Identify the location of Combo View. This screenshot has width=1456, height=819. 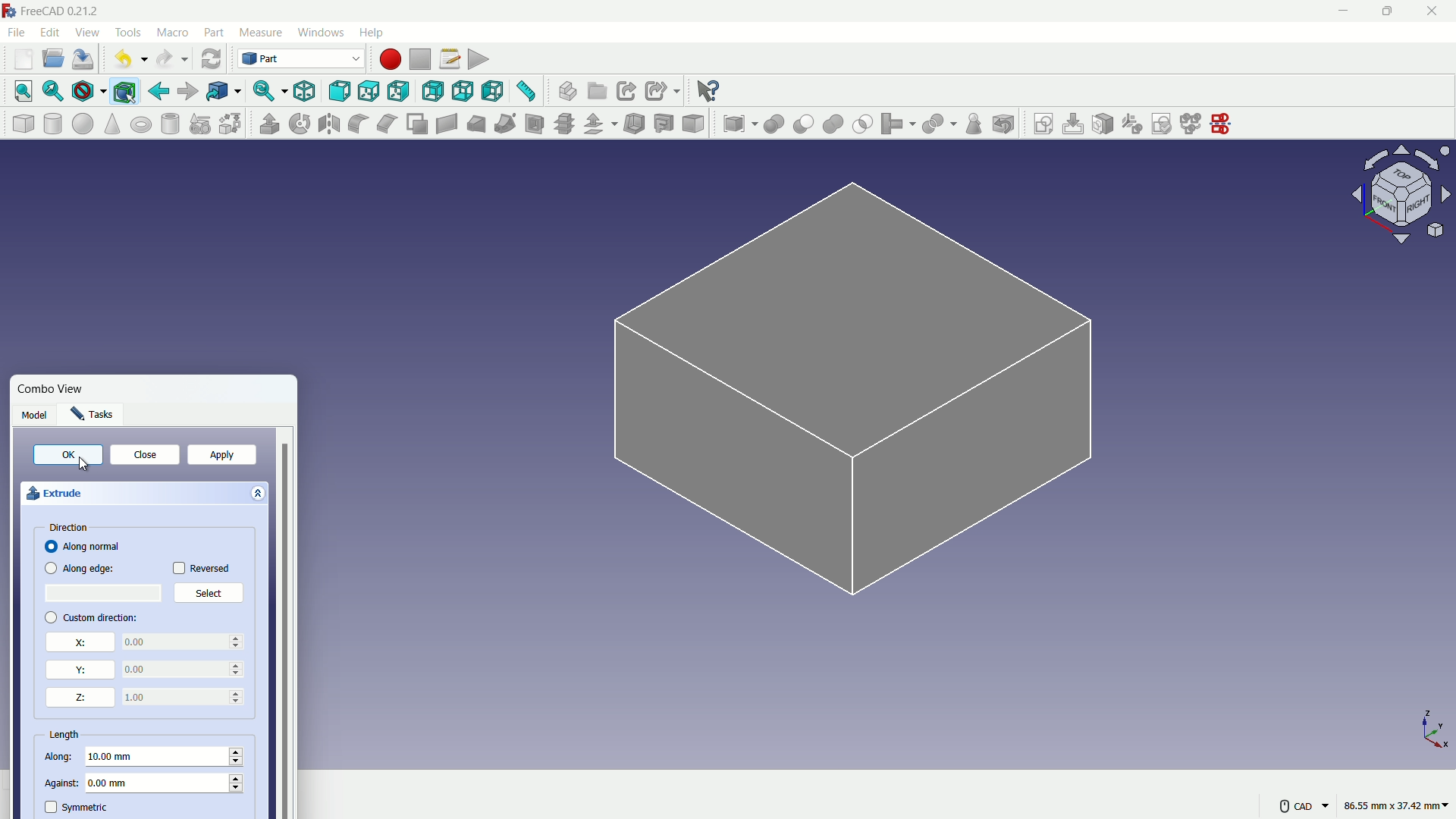
(52, 388).